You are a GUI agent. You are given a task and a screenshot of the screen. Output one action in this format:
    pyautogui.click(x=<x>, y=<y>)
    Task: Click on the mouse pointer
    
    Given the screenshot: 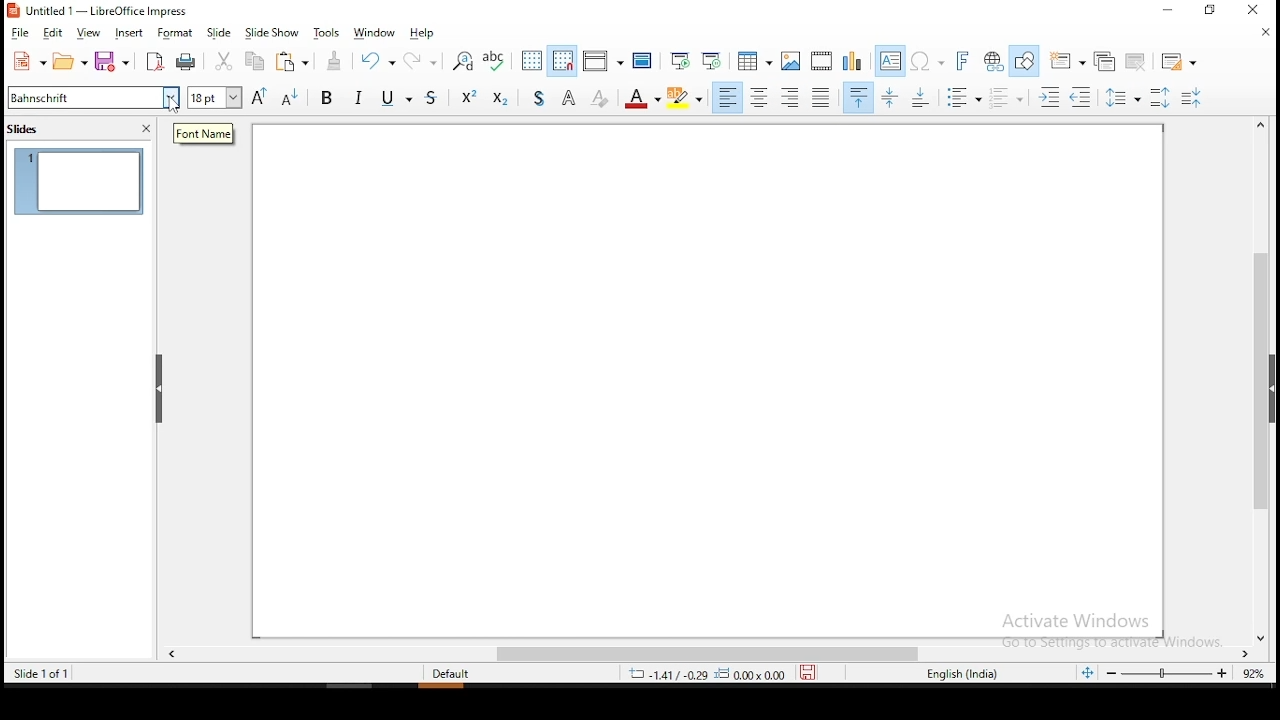 What is the action you would take?
    pyautogui.click(x=175, y=104)
    